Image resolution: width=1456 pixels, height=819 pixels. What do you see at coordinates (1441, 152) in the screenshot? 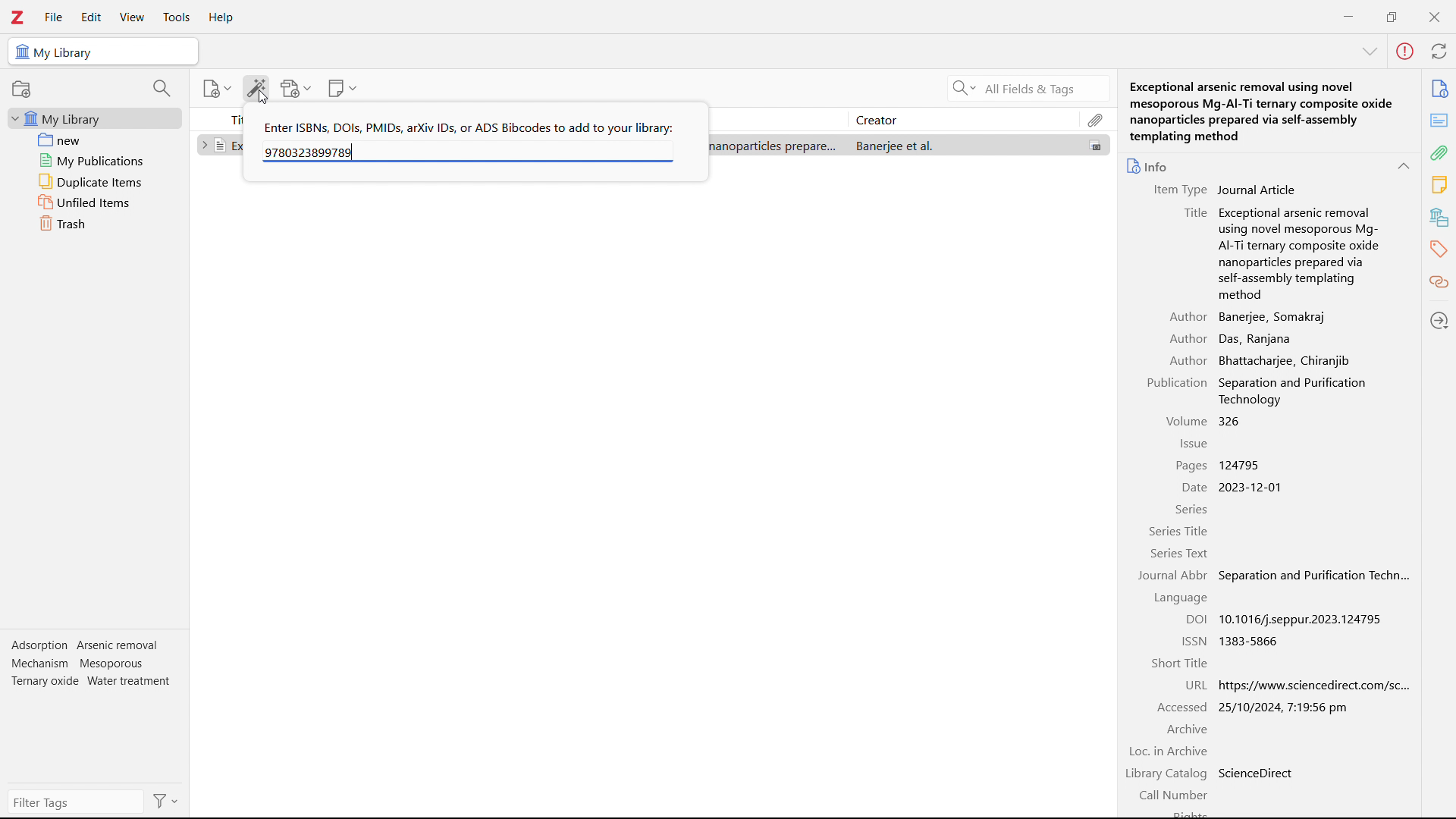
I see `attachments` at bounding box center [1441, 152].